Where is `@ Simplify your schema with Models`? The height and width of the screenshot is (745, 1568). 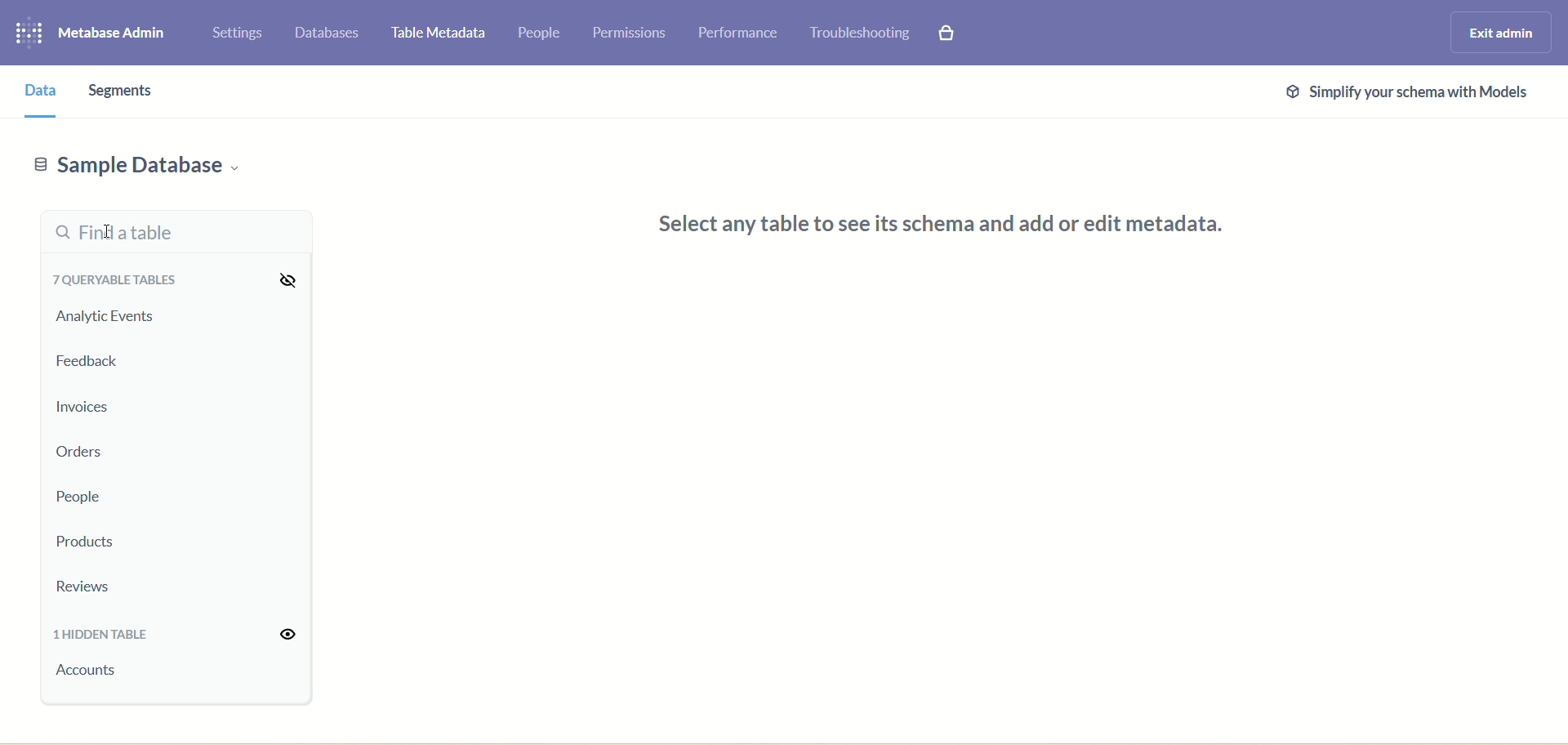 @ Simplify your schema with Models is located at coordinates (1405, 92).